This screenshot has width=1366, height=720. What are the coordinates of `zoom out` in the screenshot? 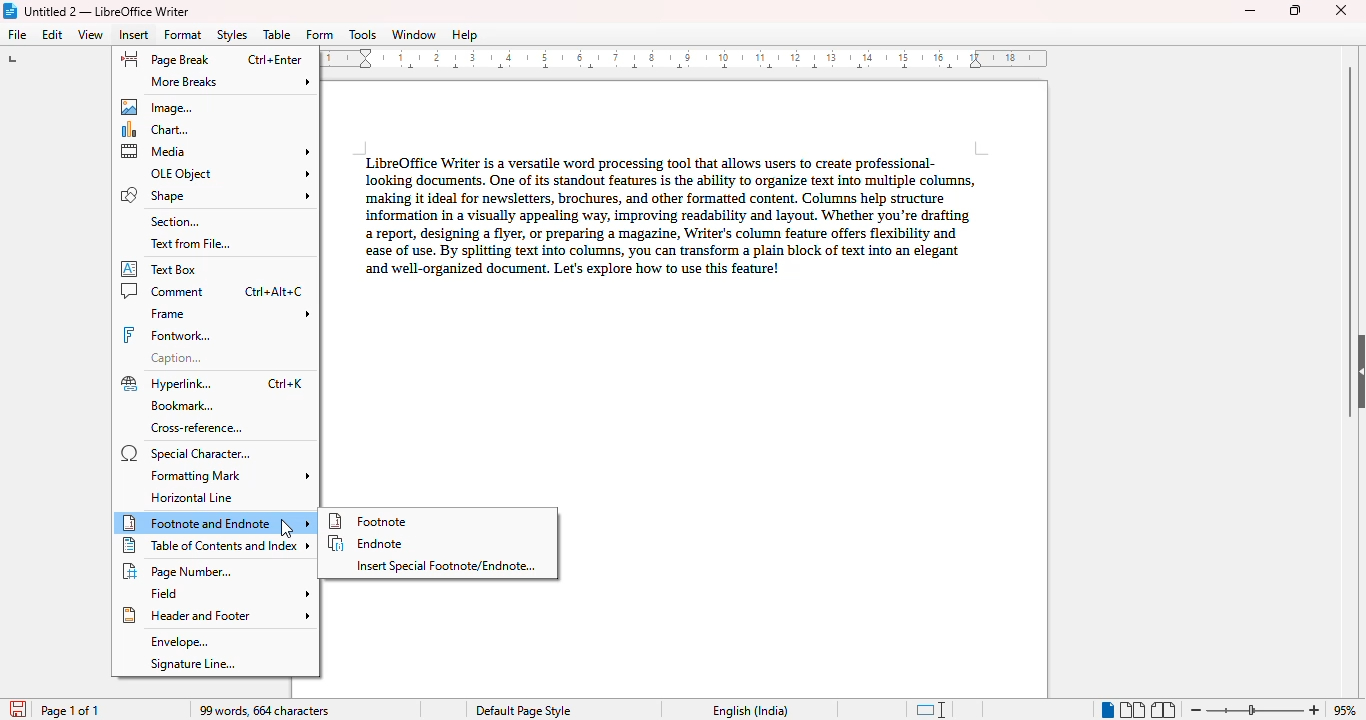 It's located at (1197, 710).